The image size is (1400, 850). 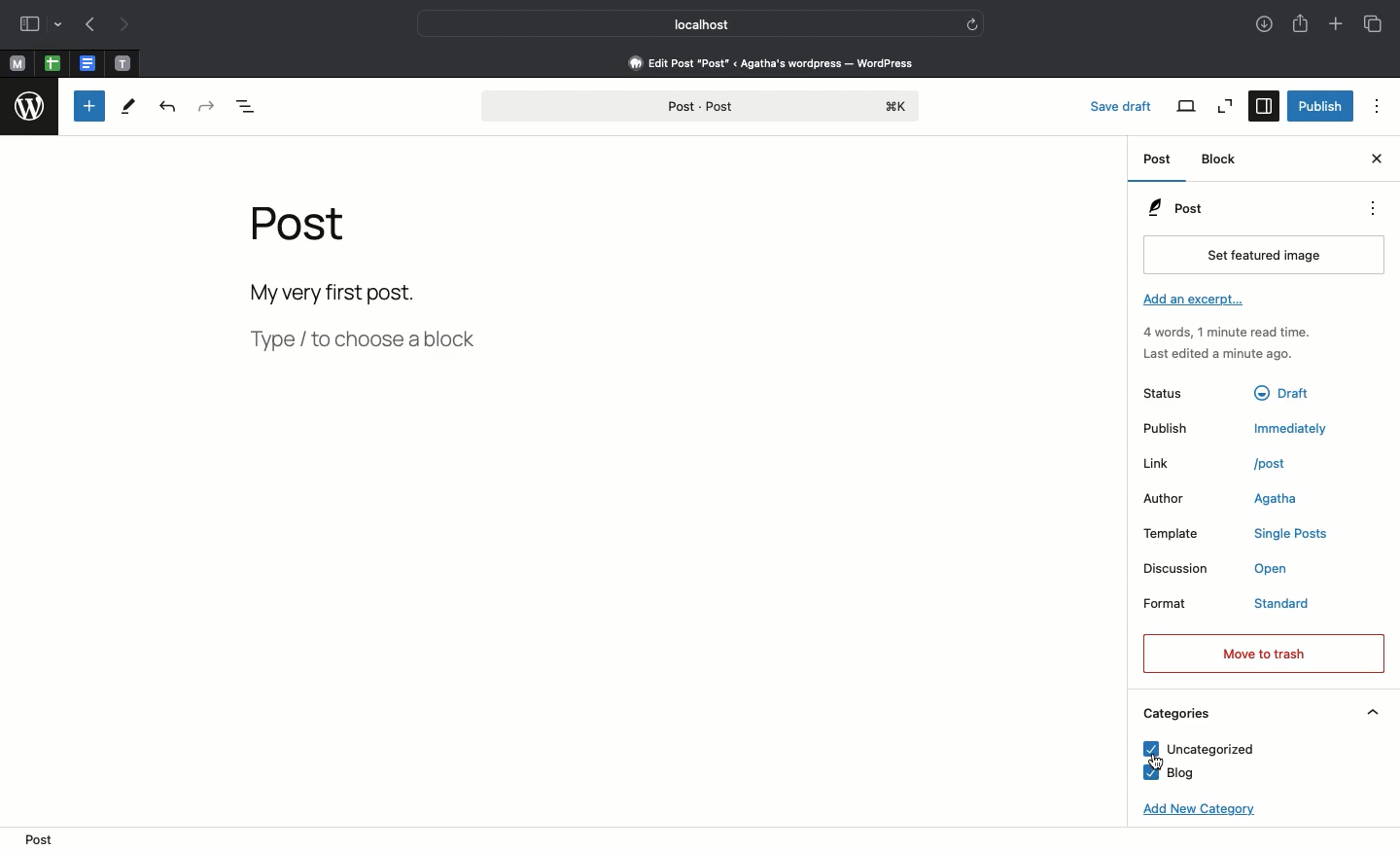 I want to click on spread sheet, so click(x=52, y=63).